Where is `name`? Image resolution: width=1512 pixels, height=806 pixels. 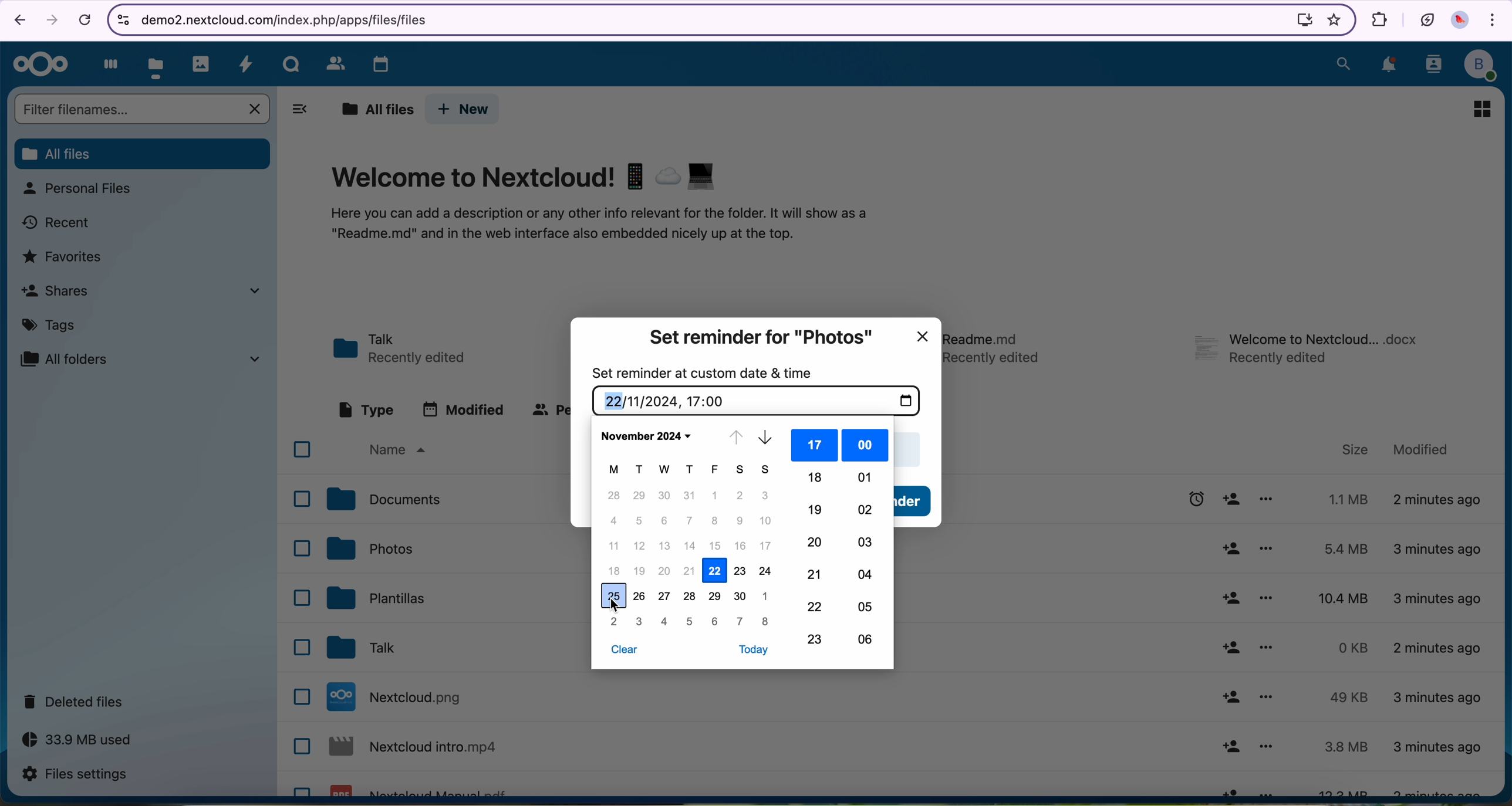 name is located at coordinates (403, 450).